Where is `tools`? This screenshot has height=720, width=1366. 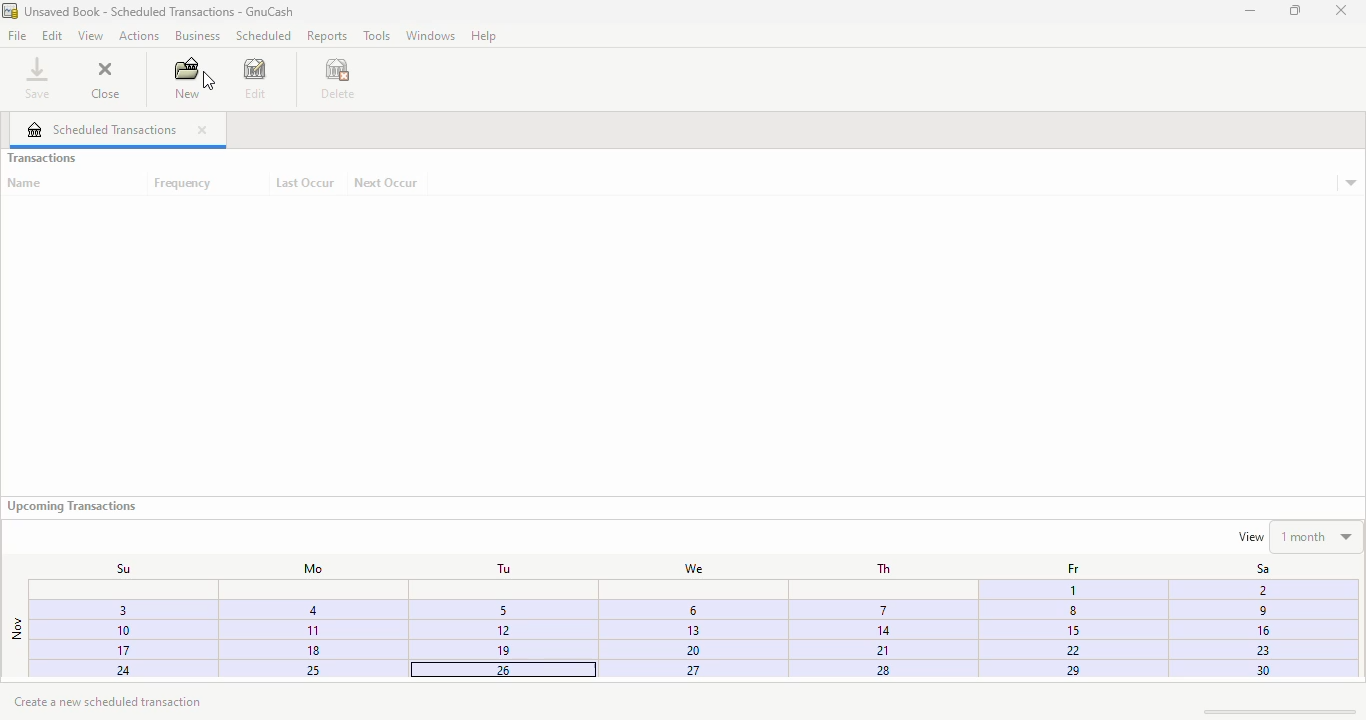 tools is located at coordinates (377, 35).